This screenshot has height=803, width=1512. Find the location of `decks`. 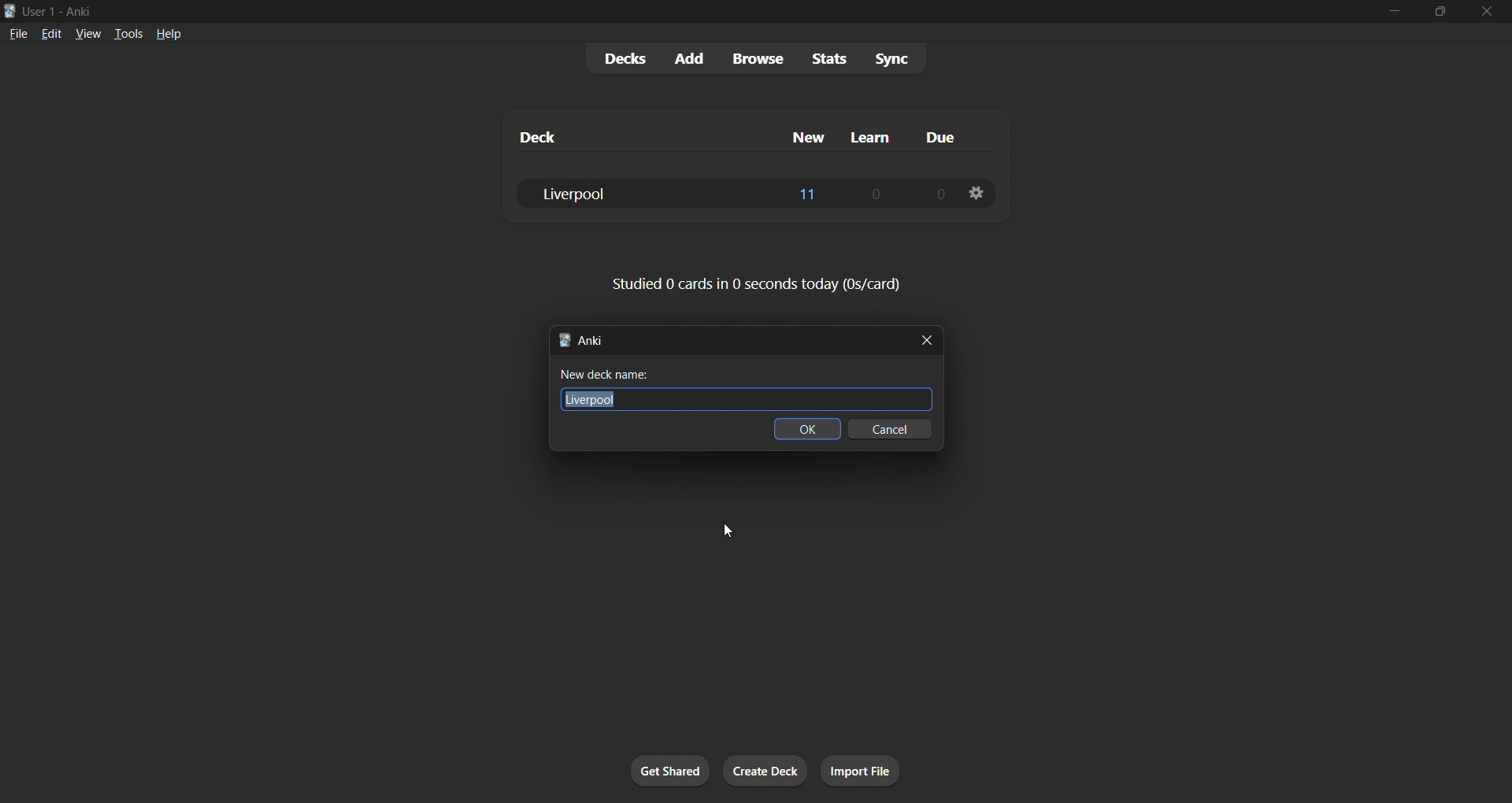

decks is located at coordinates (618, 57).